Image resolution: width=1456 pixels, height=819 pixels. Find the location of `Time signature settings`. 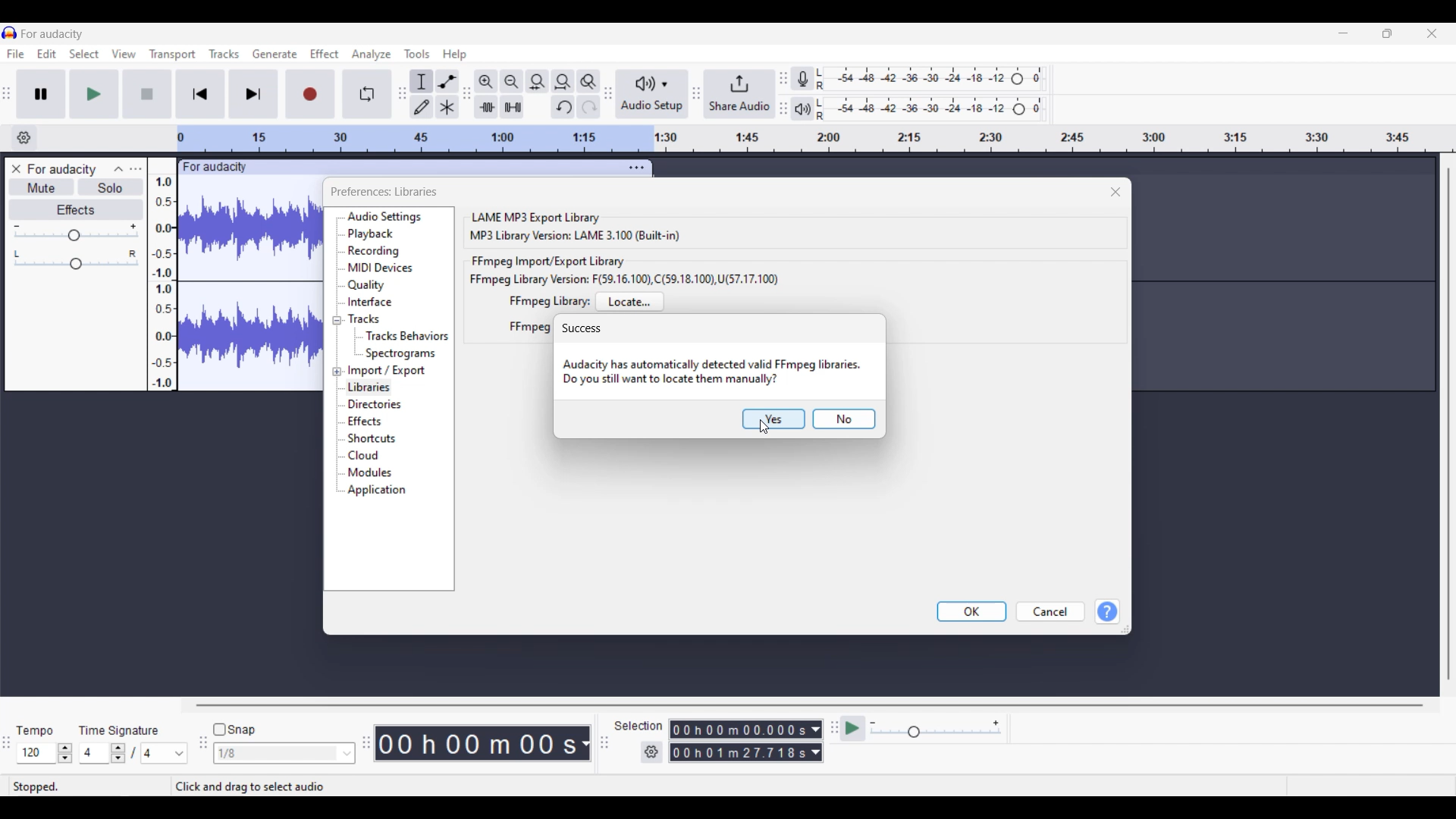

Time signature settings is located at coordinates (133, 753).